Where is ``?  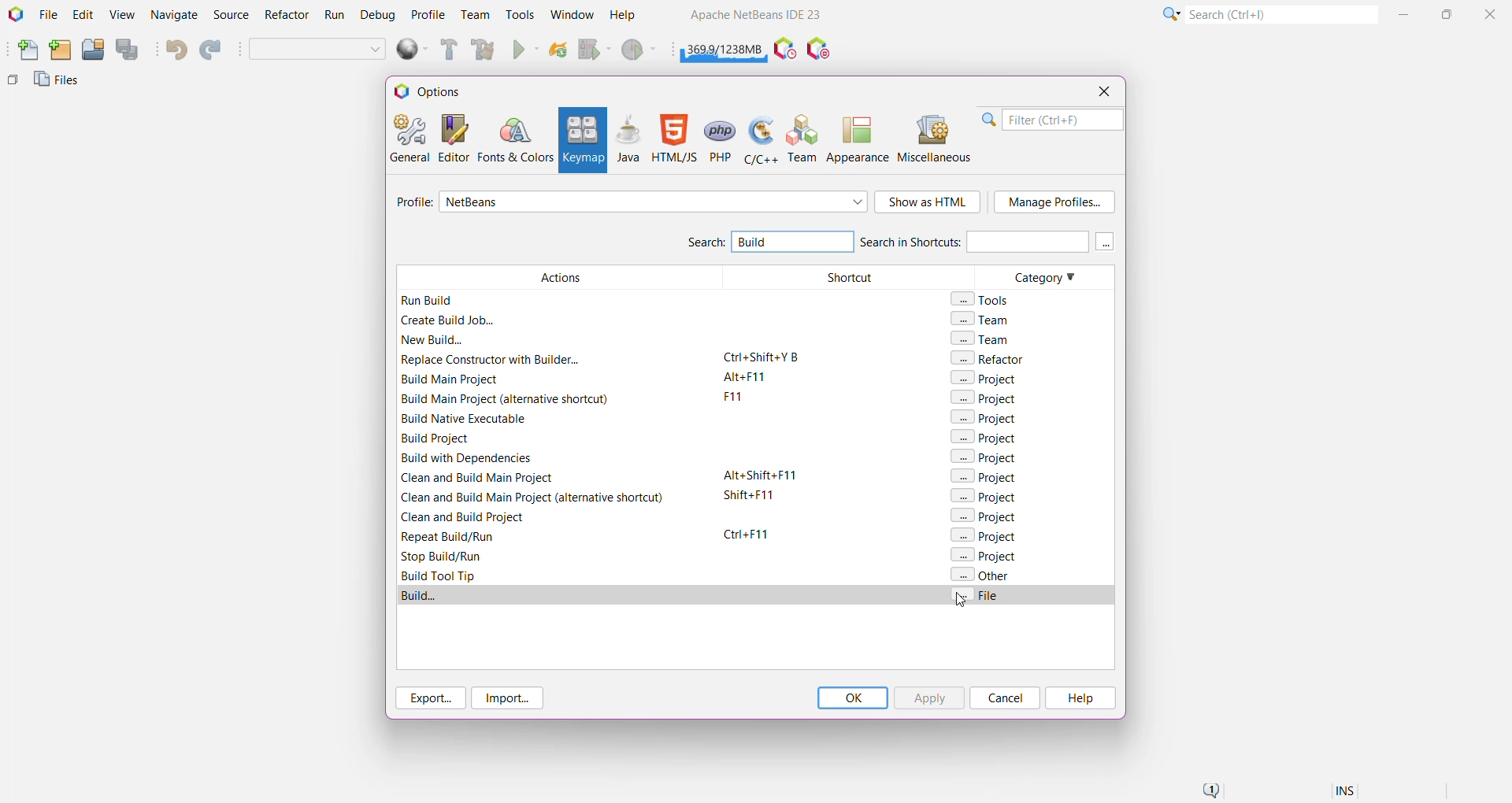  is located at coordinates (13, 83).